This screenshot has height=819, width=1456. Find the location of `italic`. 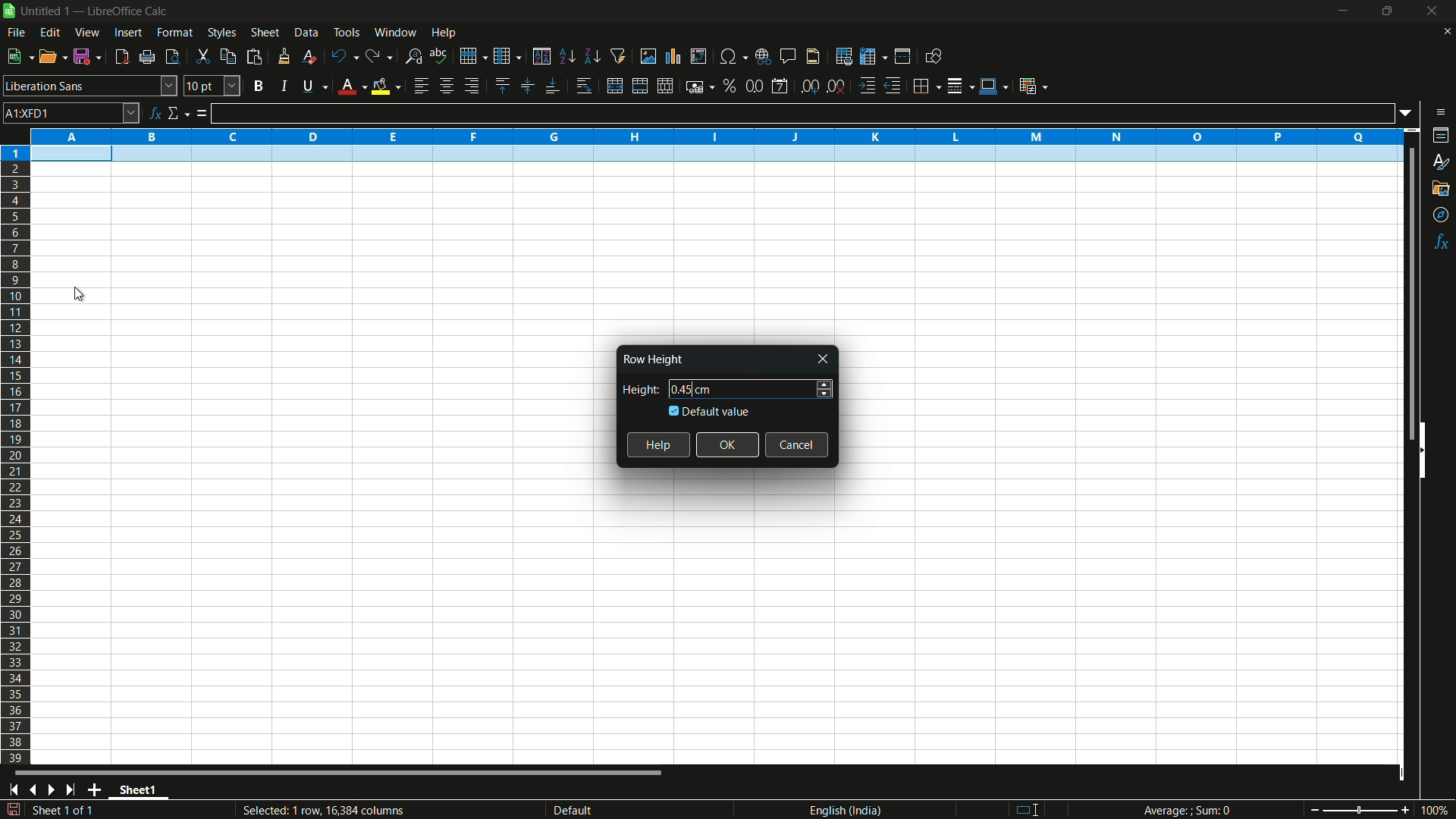

italic is located at coordinates (283, 86).